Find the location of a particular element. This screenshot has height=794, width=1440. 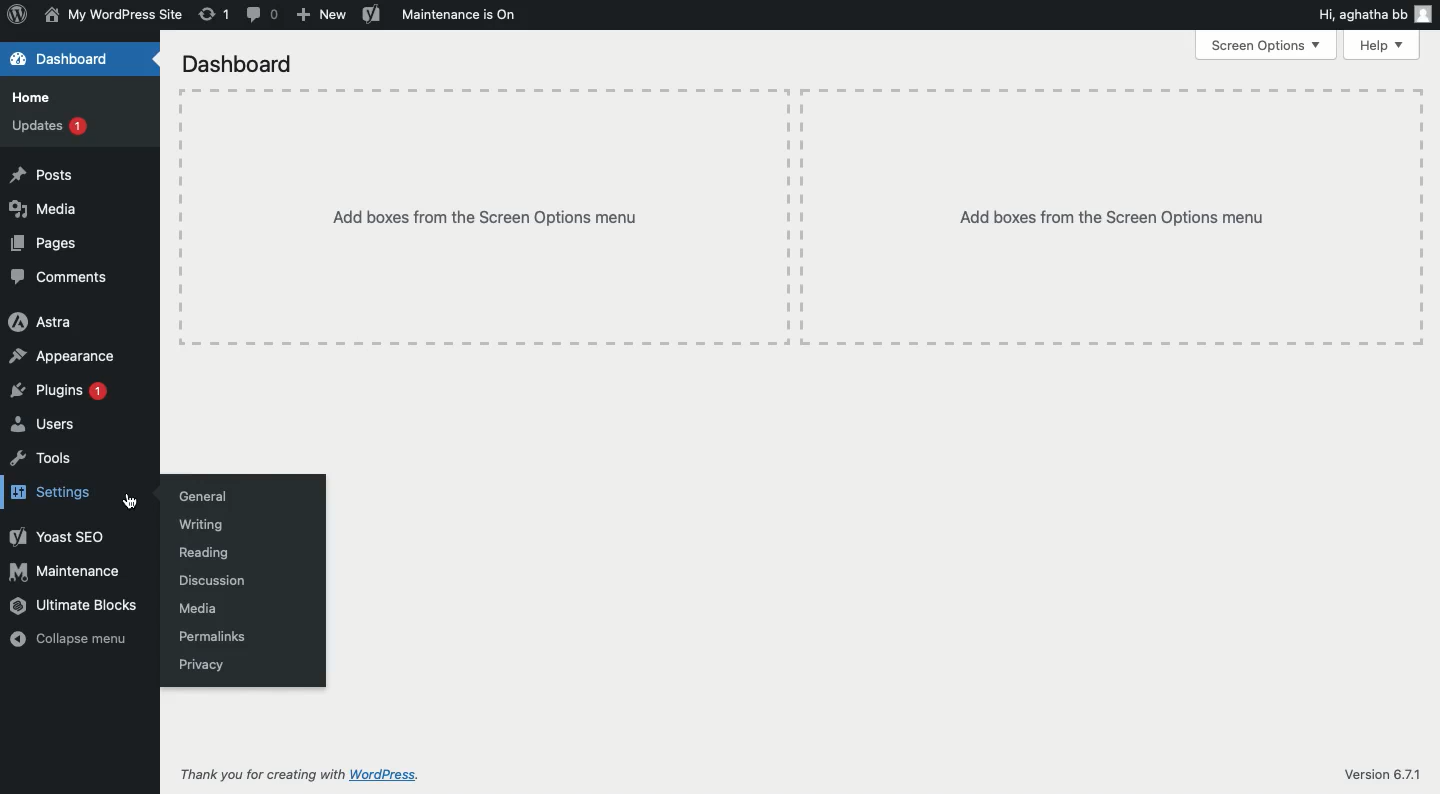

Add boxes from the screen options menu is located at coordinates (801, 217).